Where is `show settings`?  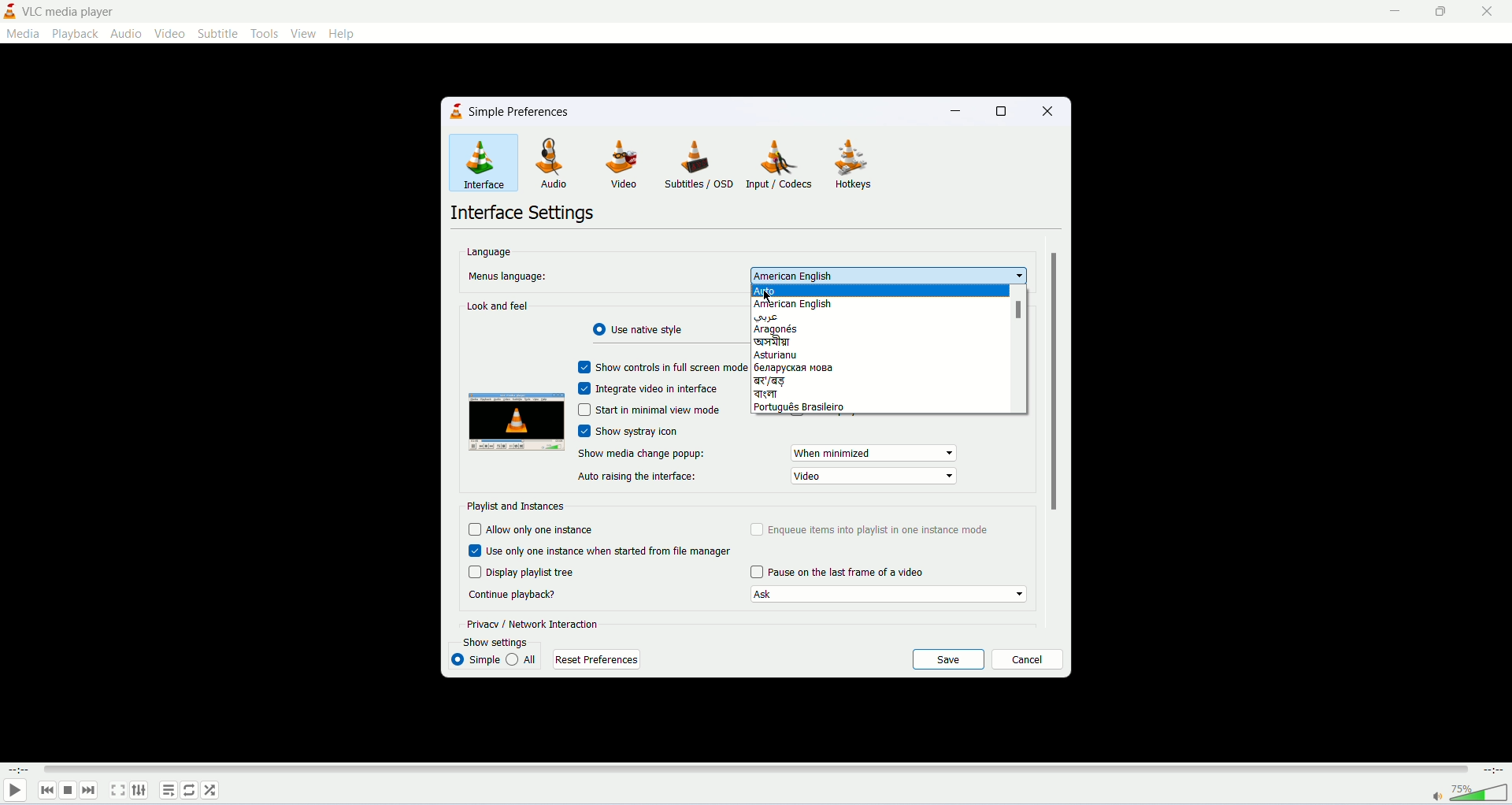
show settings is located at coordinates (496, 642).